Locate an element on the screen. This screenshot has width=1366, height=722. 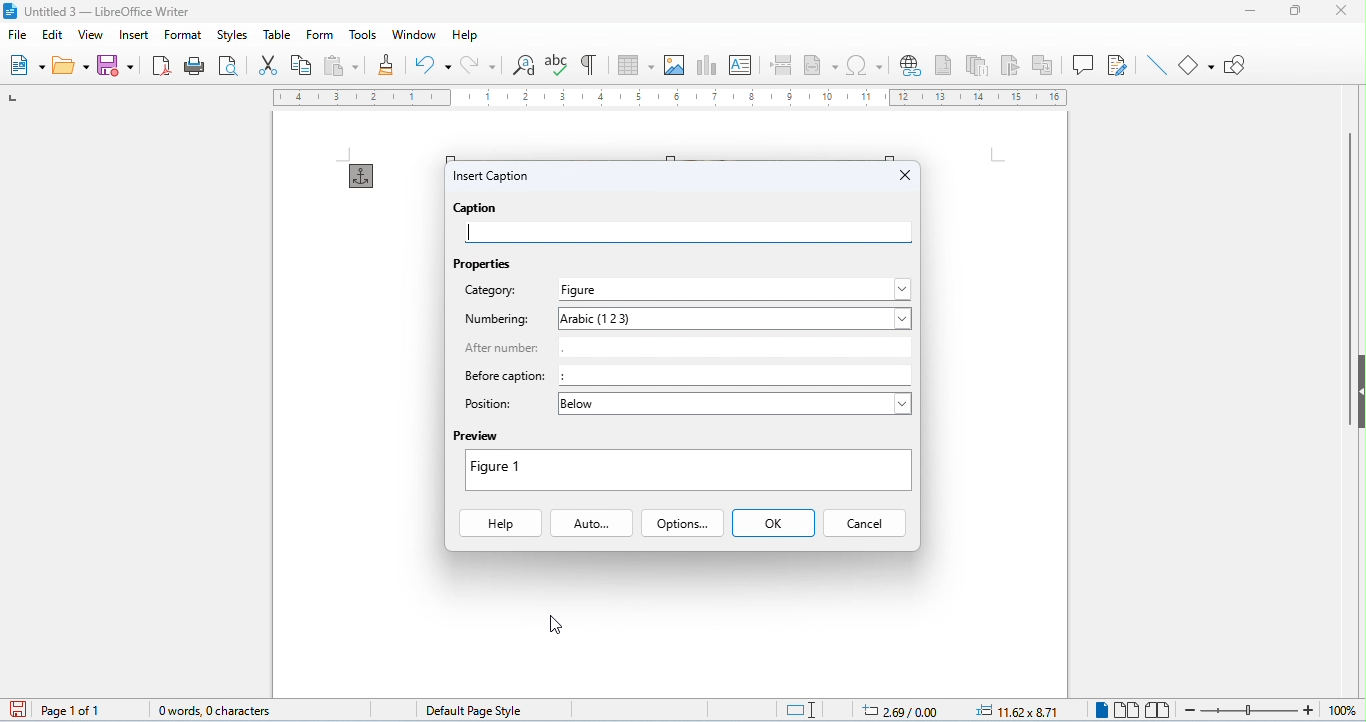
cut is located at coordinates (268, 66).